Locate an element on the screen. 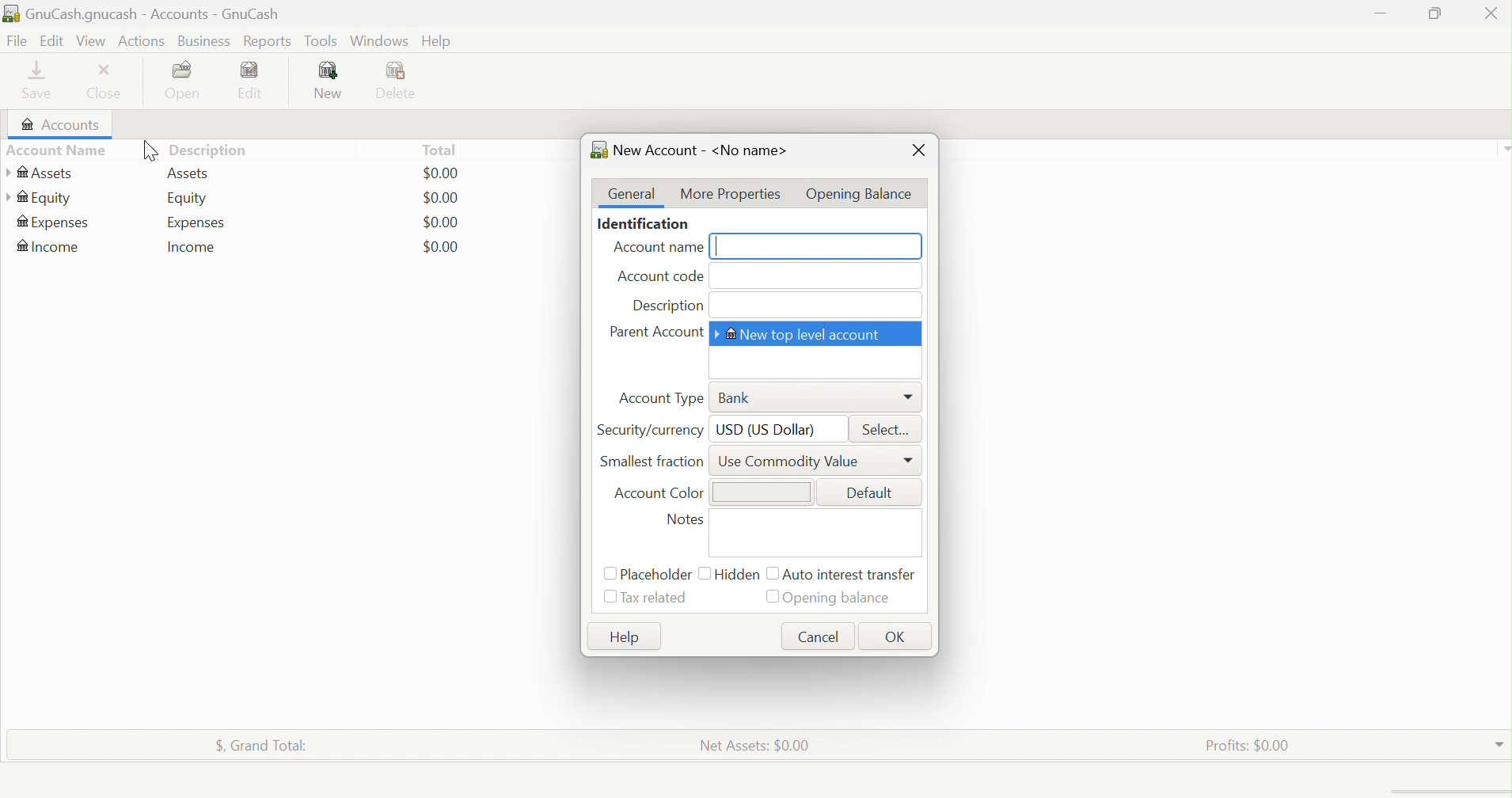 The image size is (1512, 798). Close is located at coordinates (919, 152).